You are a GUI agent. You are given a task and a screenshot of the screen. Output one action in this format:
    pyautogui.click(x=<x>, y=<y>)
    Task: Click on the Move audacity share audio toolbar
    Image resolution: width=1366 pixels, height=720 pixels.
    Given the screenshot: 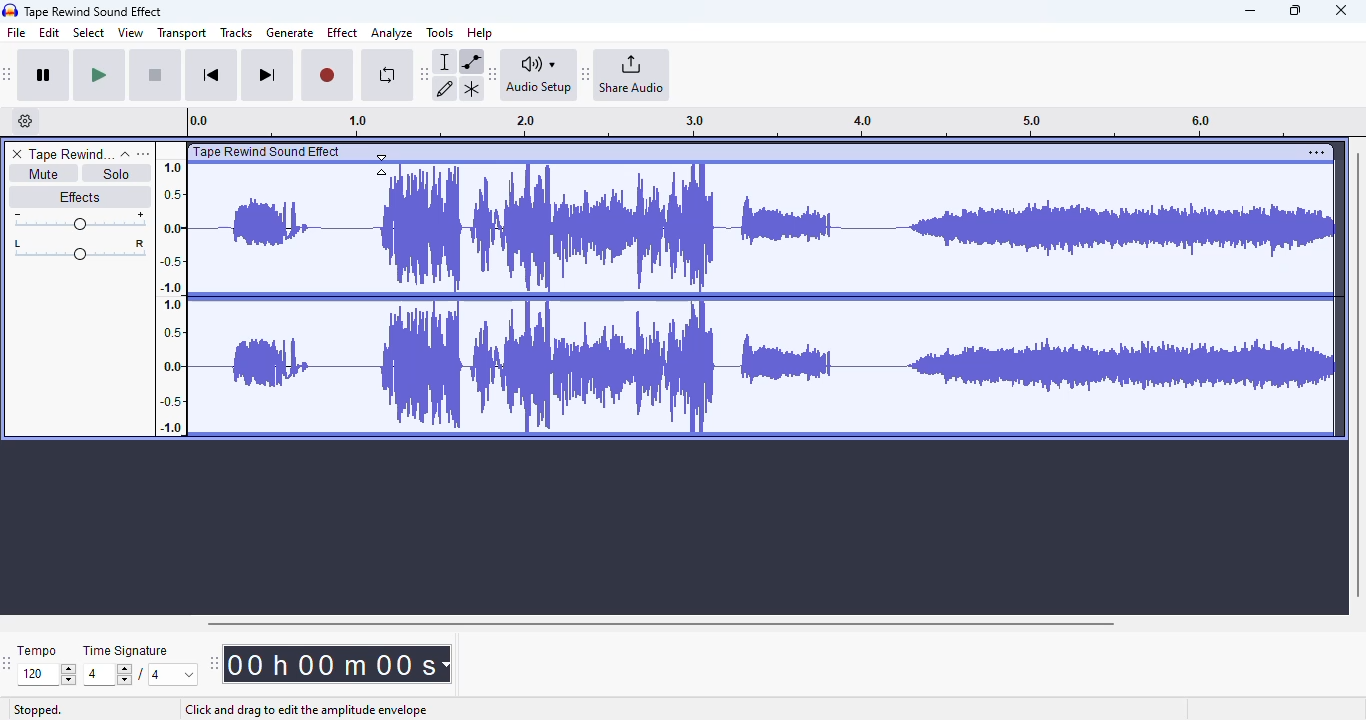 What is the action you would take?
    pyautogui.click(x=586, y=75)
    